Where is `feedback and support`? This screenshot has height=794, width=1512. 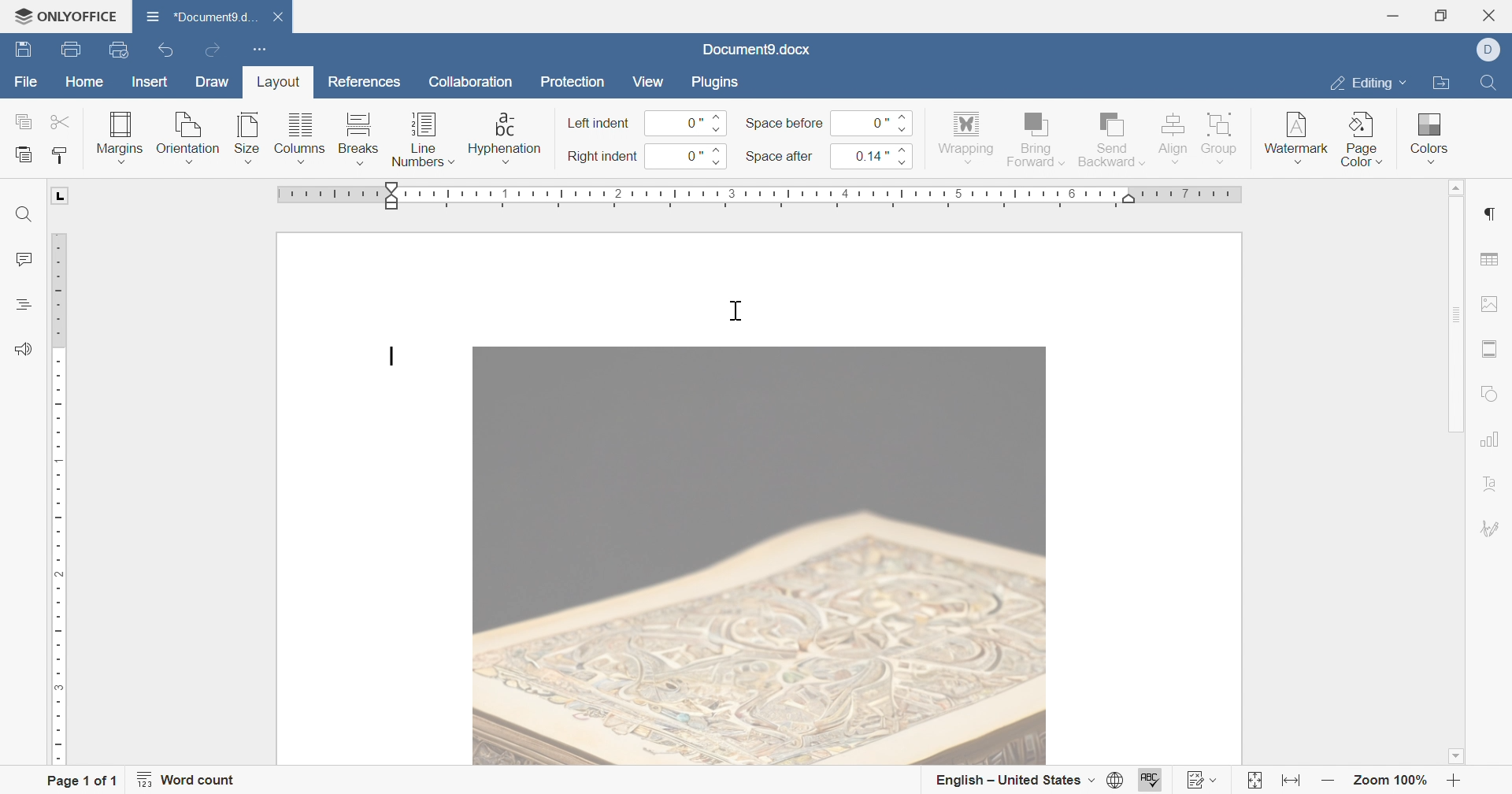 feedback and support is located at coordinates (23, 350).